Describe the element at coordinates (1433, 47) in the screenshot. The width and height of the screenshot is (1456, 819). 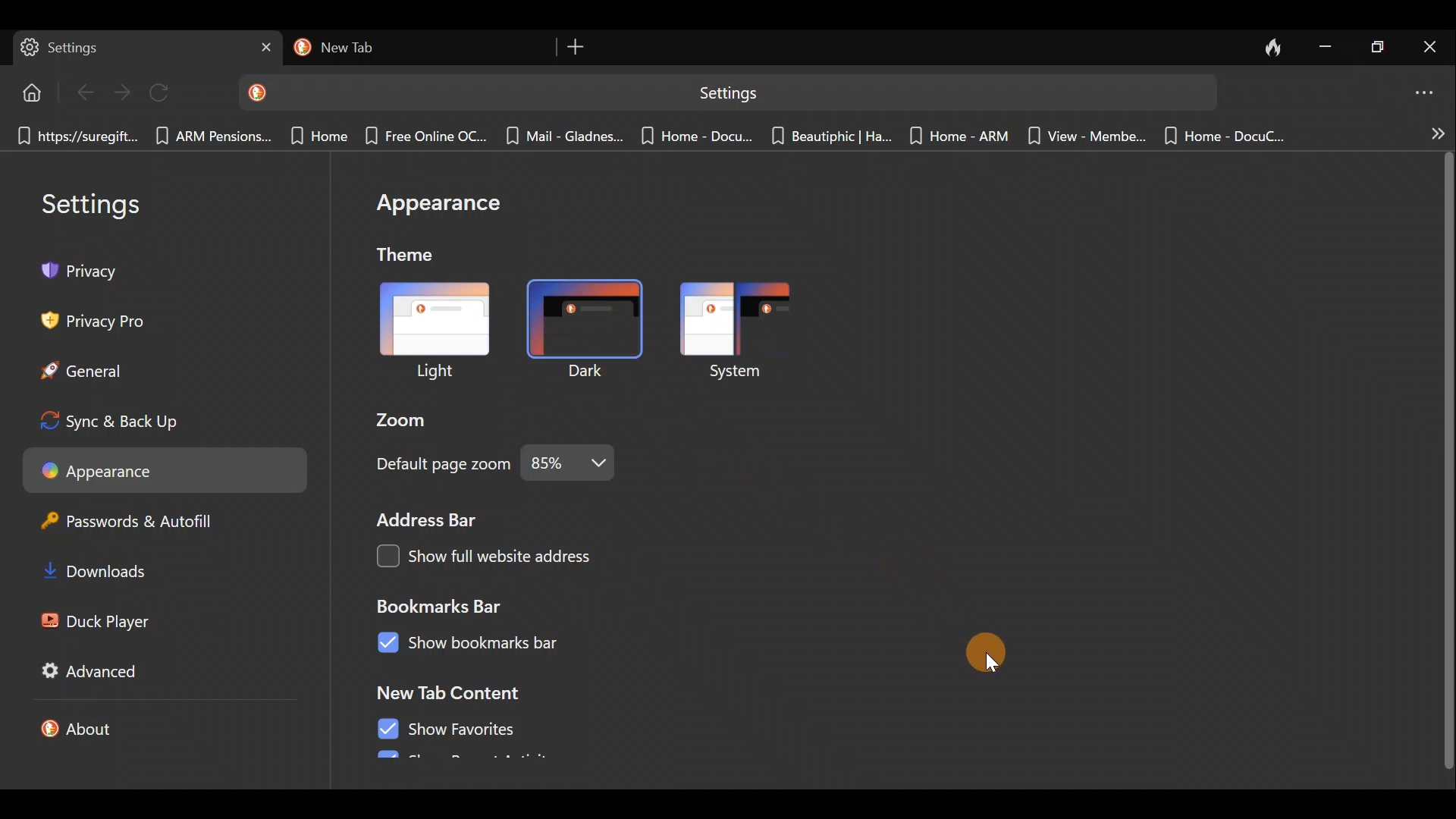
I see `close` at that location.